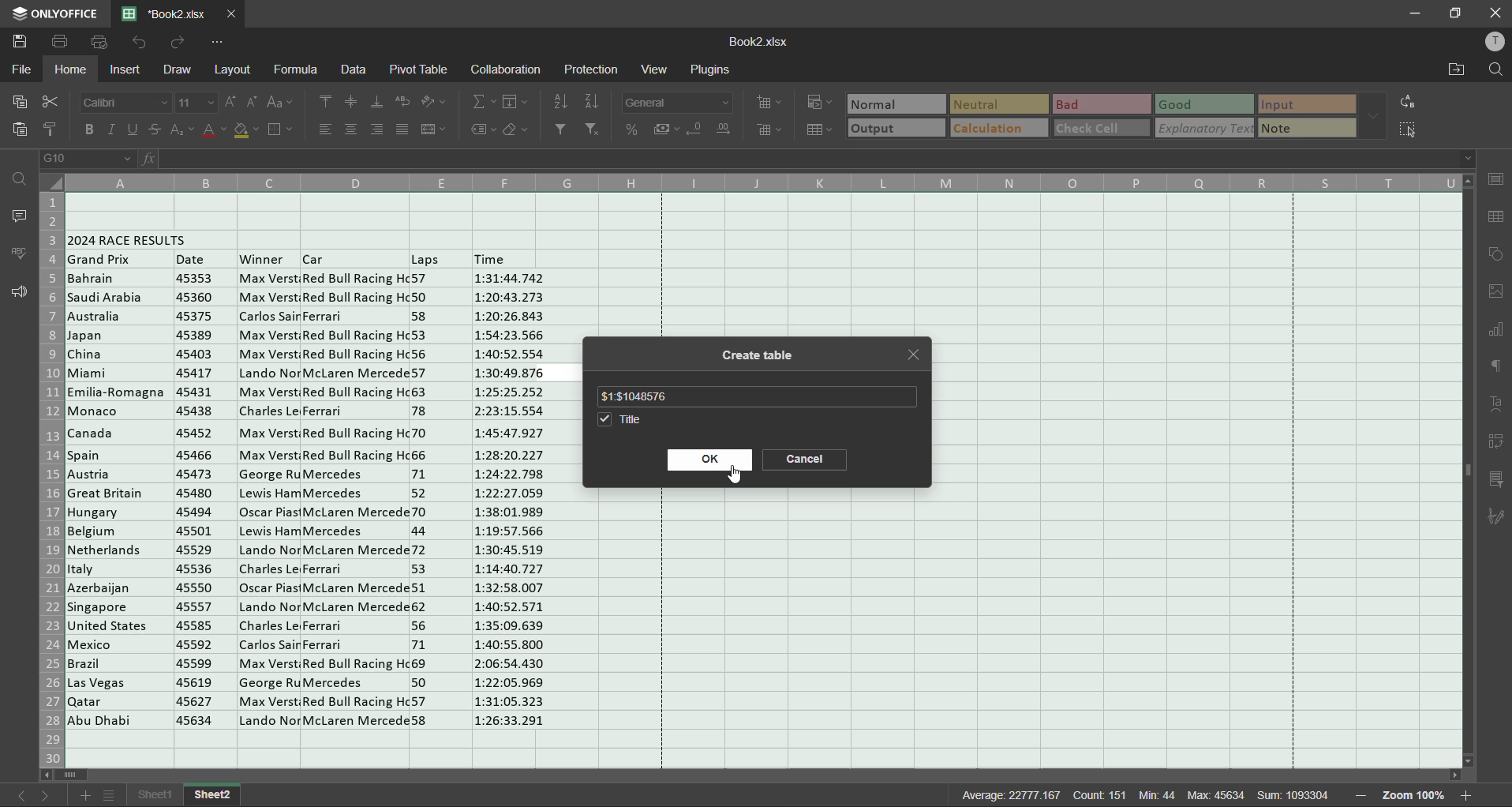 The image size is (1512, 807). I want to click on find, so click(18, 180).